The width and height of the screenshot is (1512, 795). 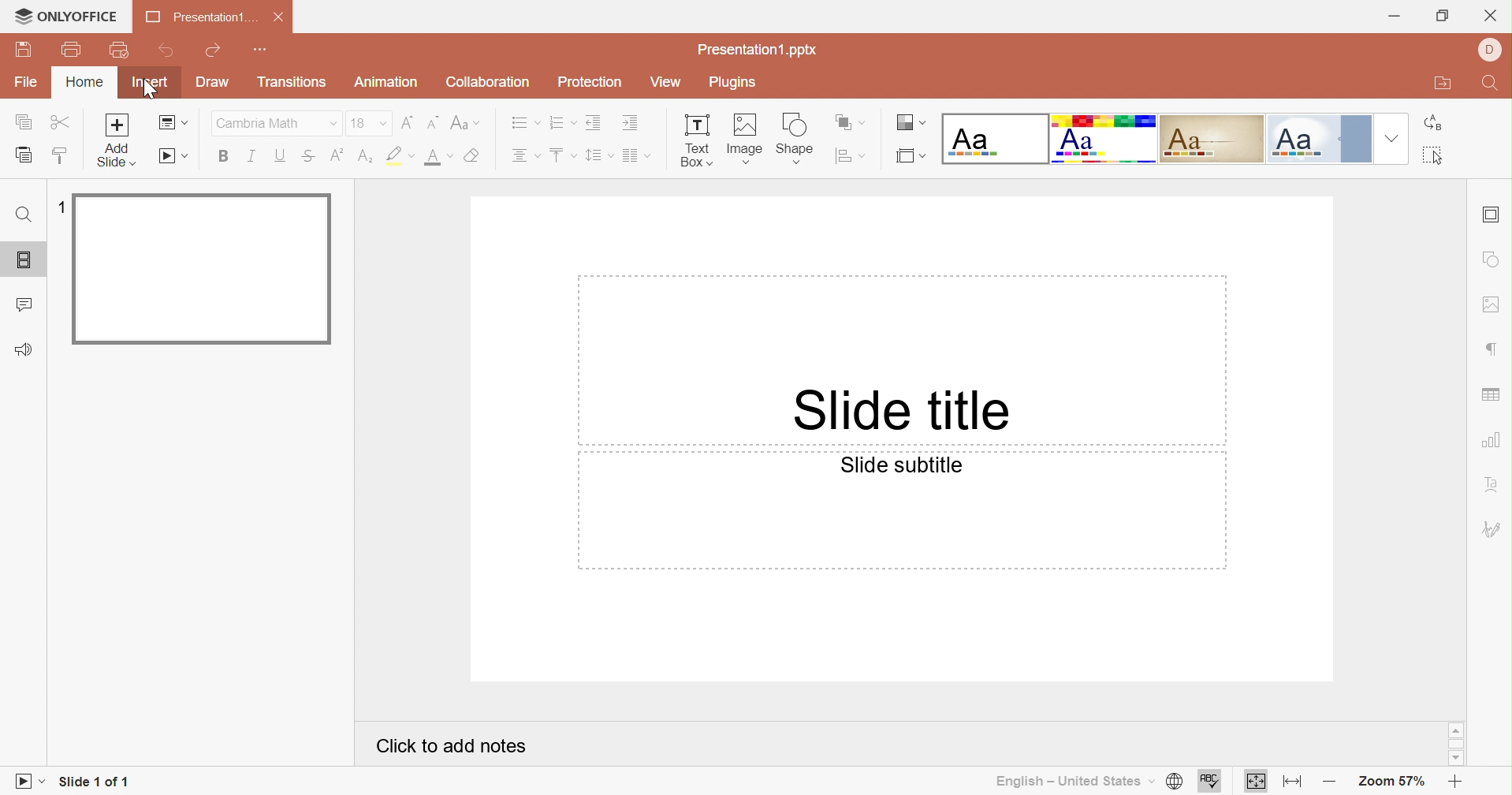 I want to click on Scroll Up, so click(x=1454, y=730).